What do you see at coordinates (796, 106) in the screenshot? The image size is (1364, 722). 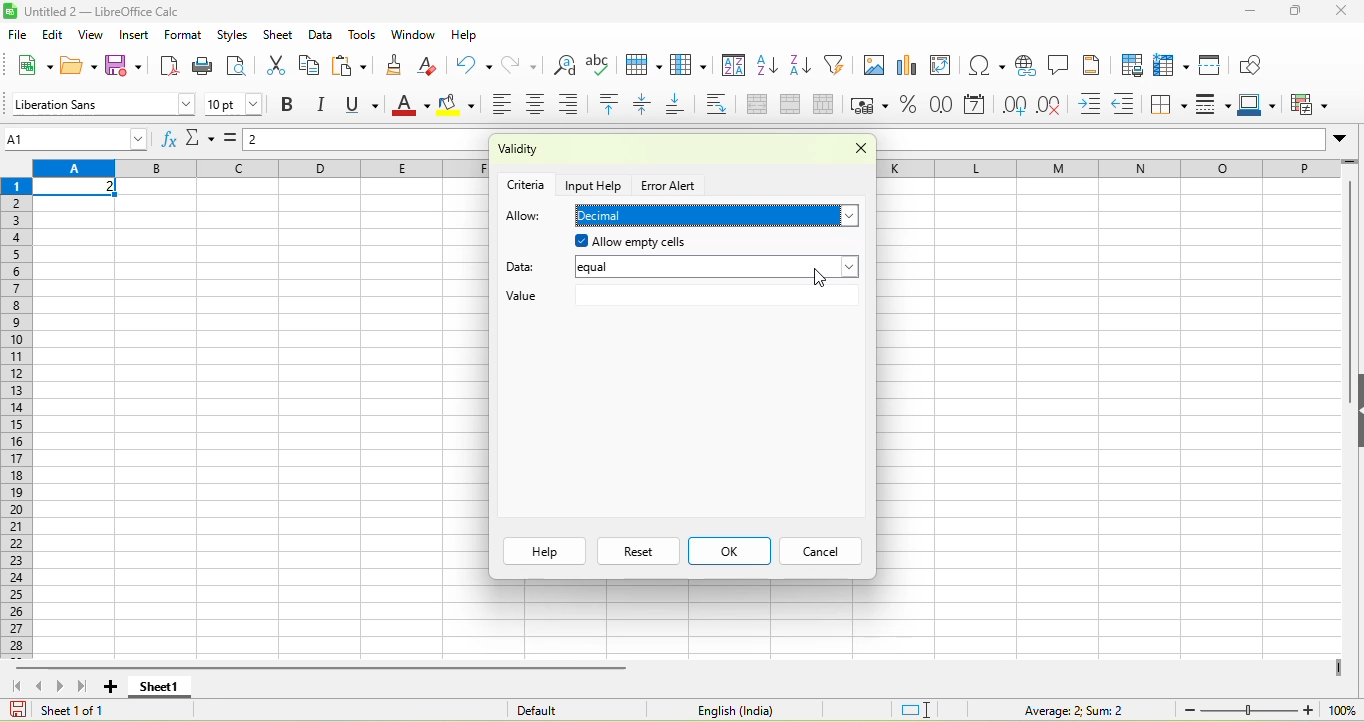 I see `merge` at bounding box center [796, 106].